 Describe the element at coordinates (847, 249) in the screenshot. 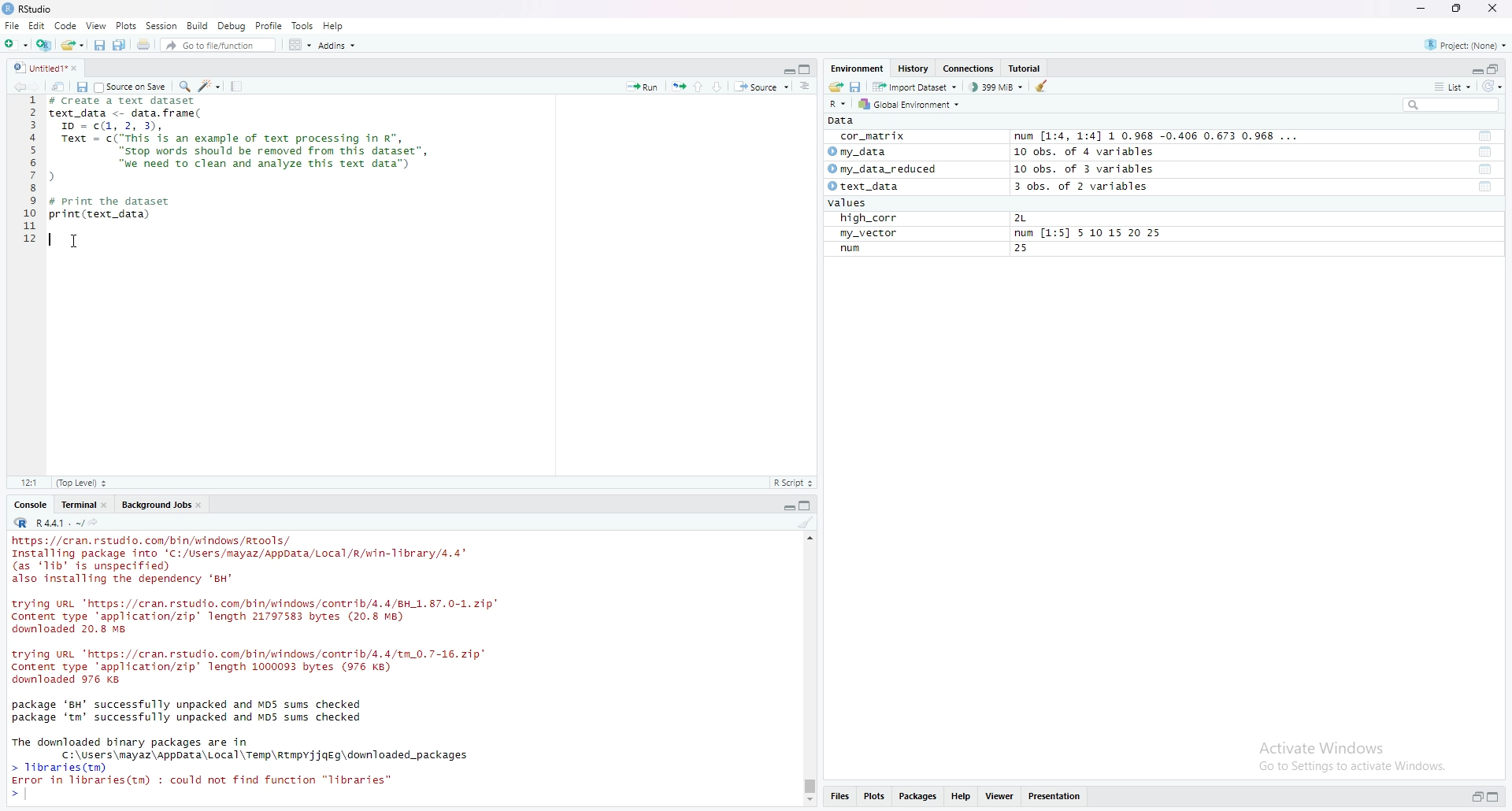

I see `run` at that location.